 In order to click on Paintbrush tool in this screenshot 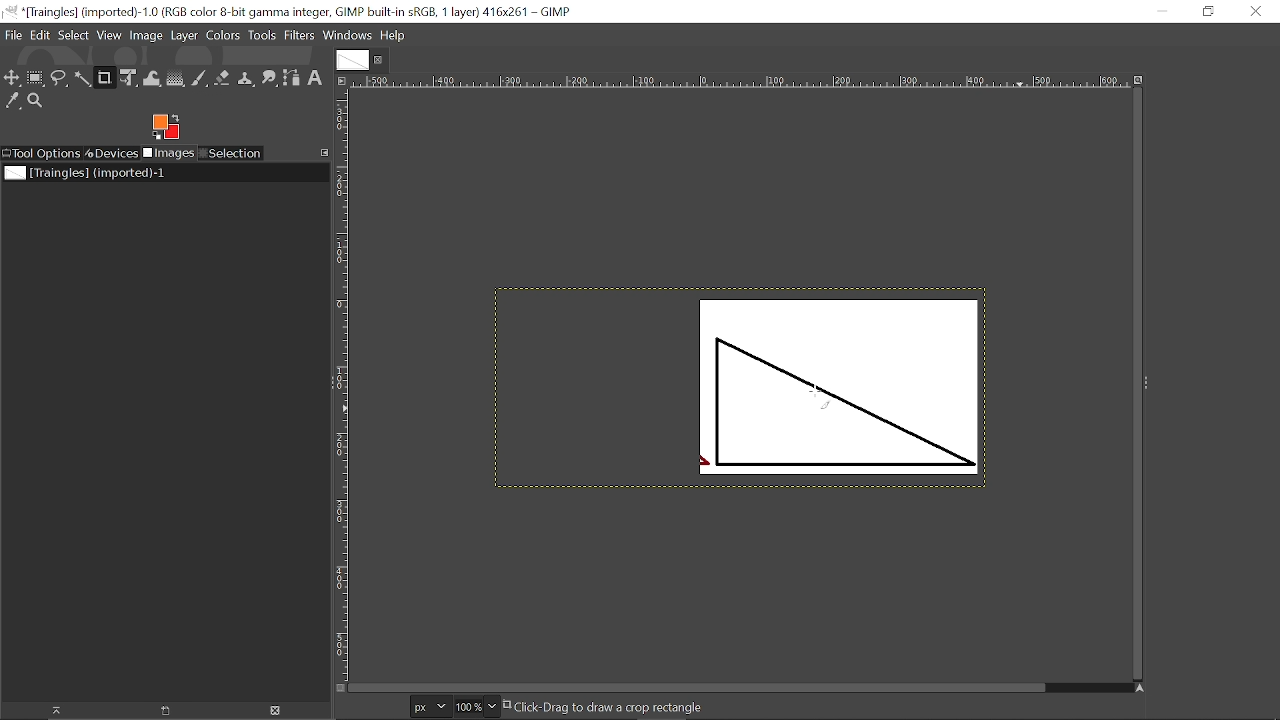, I will do `click(199, 79)`.